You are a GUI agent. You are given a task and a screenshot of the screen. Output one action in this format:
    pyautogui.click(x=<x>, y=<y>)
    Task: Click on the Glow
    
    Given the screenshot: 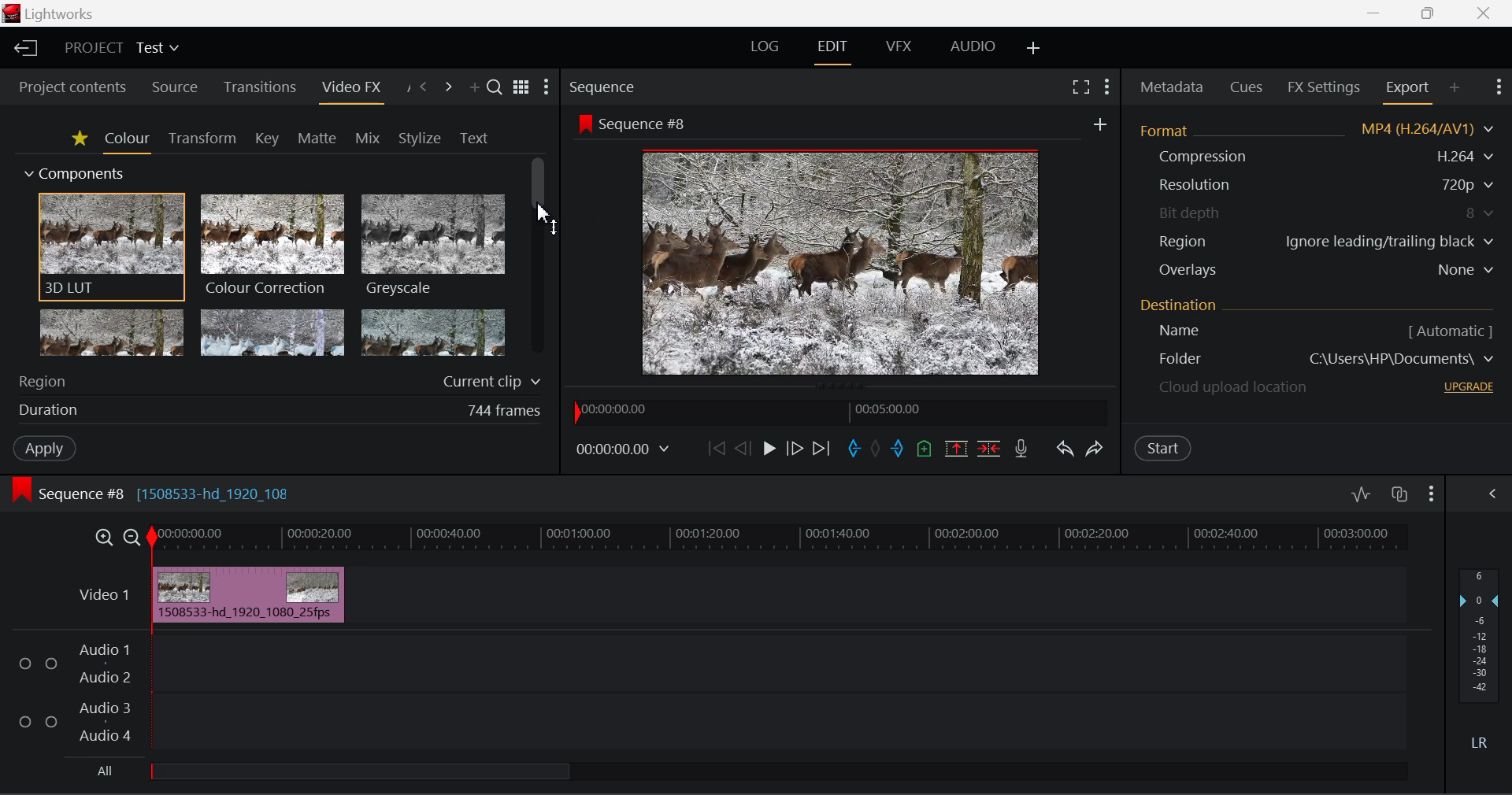 What is the action you would take?
    pyautogui.click(x=110, y=334)
    